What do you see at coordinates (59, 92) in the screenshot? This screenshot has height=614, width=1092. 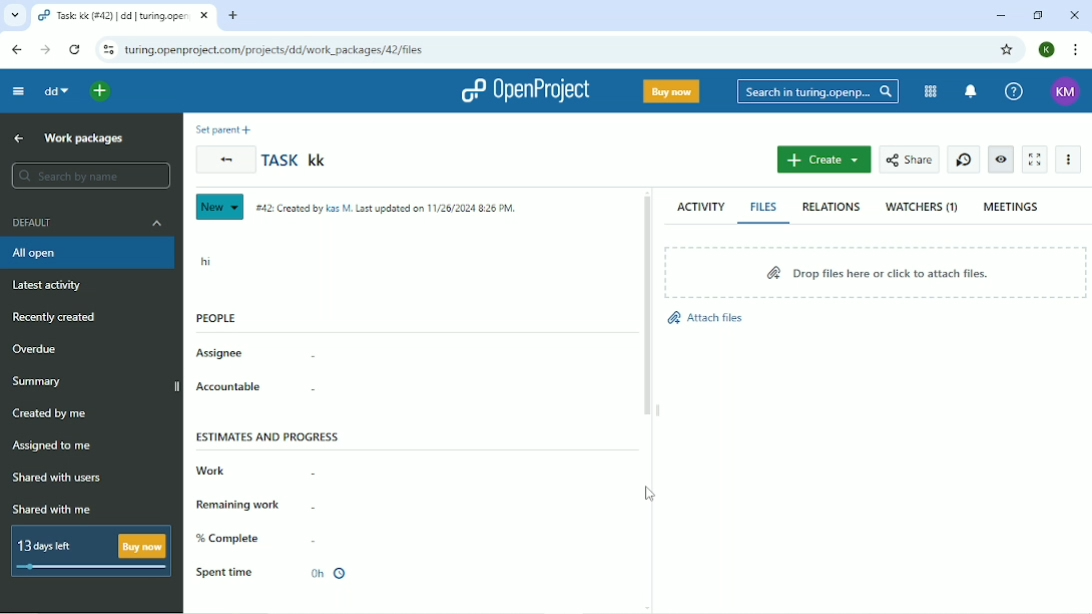 I see `dd` at bounding box center [59, 92].